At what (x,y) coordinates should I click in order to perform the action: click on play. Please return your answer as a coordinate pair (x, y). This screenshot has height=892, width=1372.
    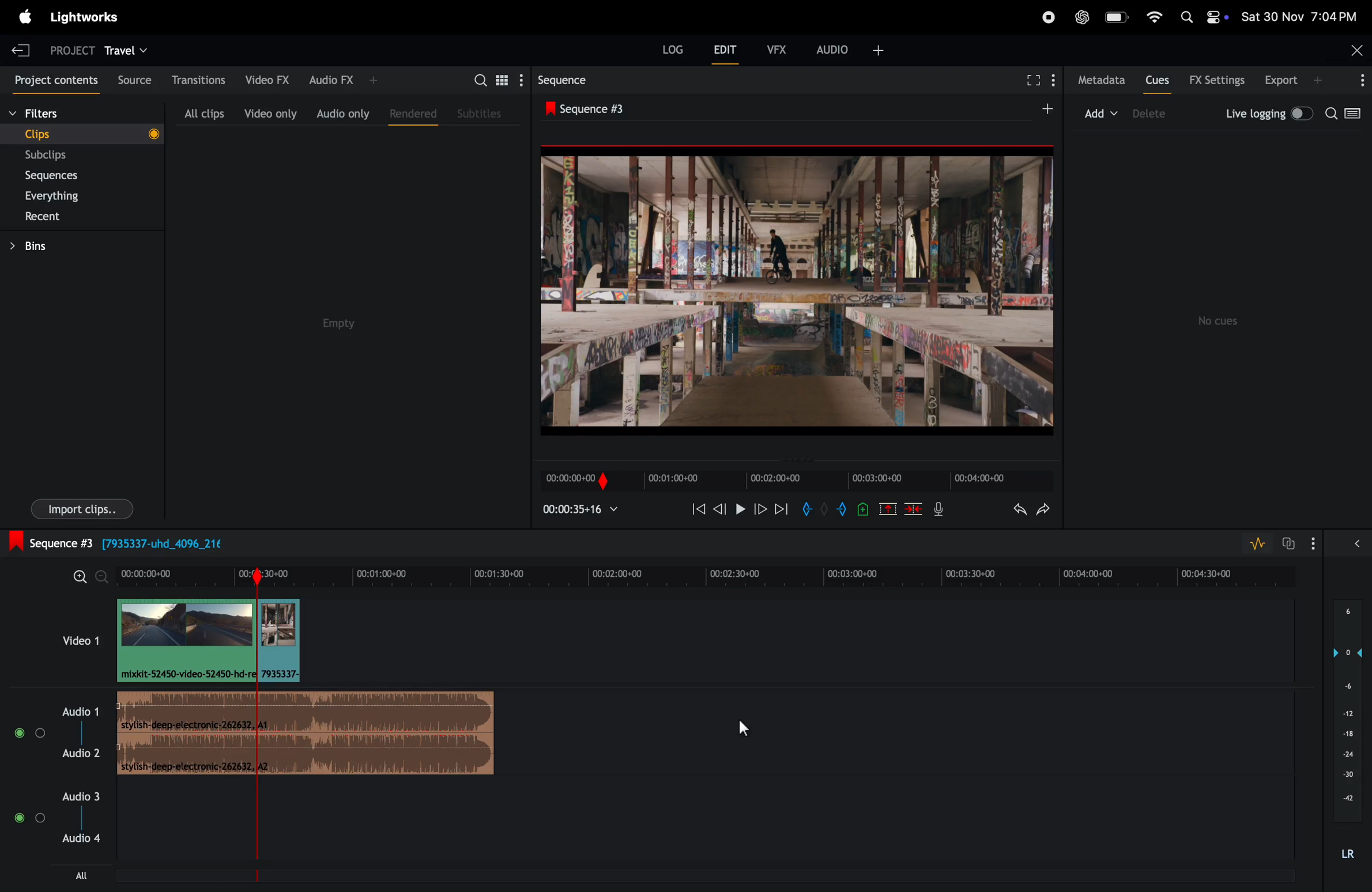
    Looking at the image, I should click on (738, 511).